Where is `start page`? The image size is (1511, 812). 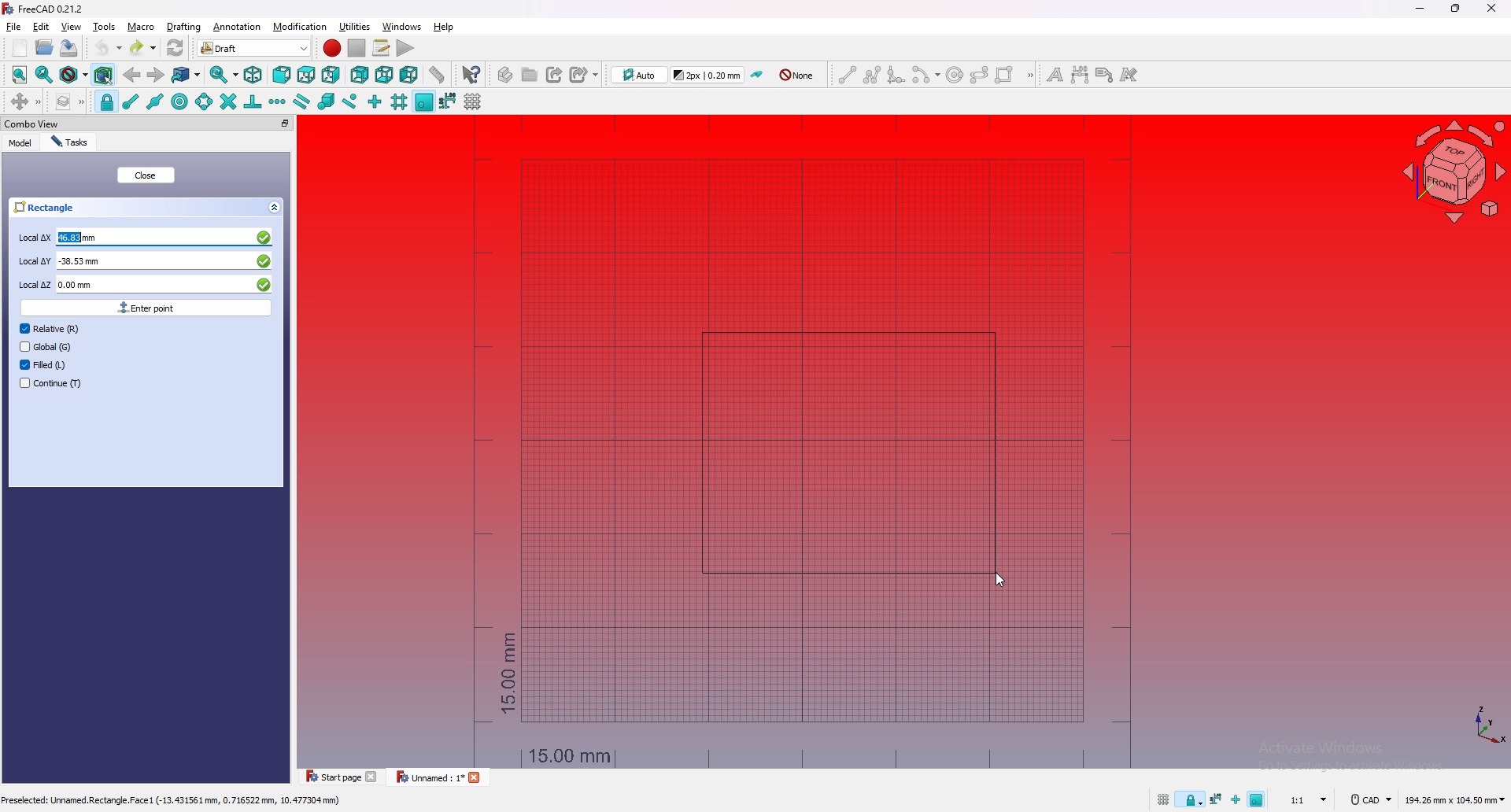 start page is located at coordinates (331, 777).